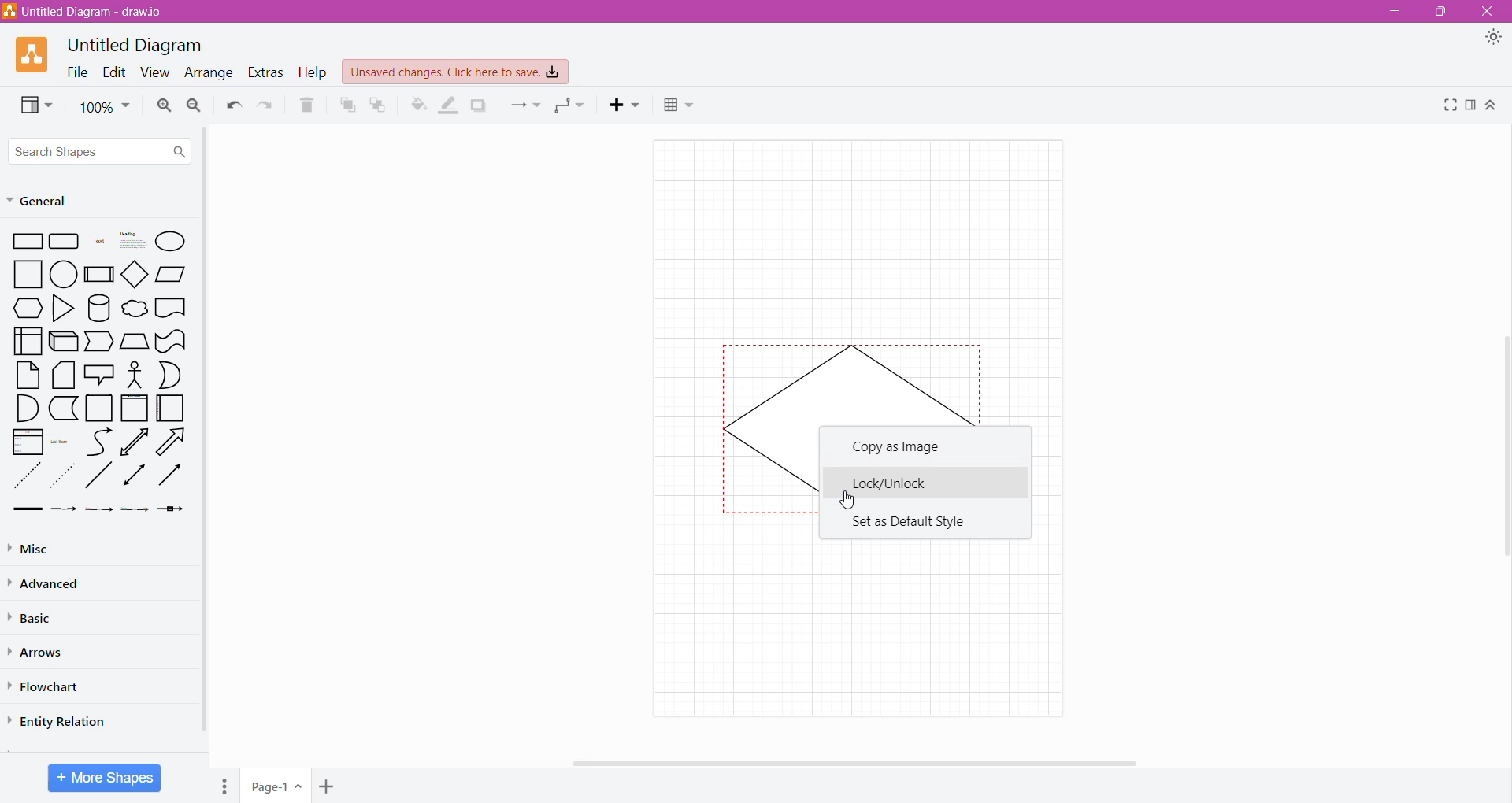 This screenshot has height=803, width=1512. Describe the element at coordinates (267, 105) in the screenshot. I see `Redo` at that location.